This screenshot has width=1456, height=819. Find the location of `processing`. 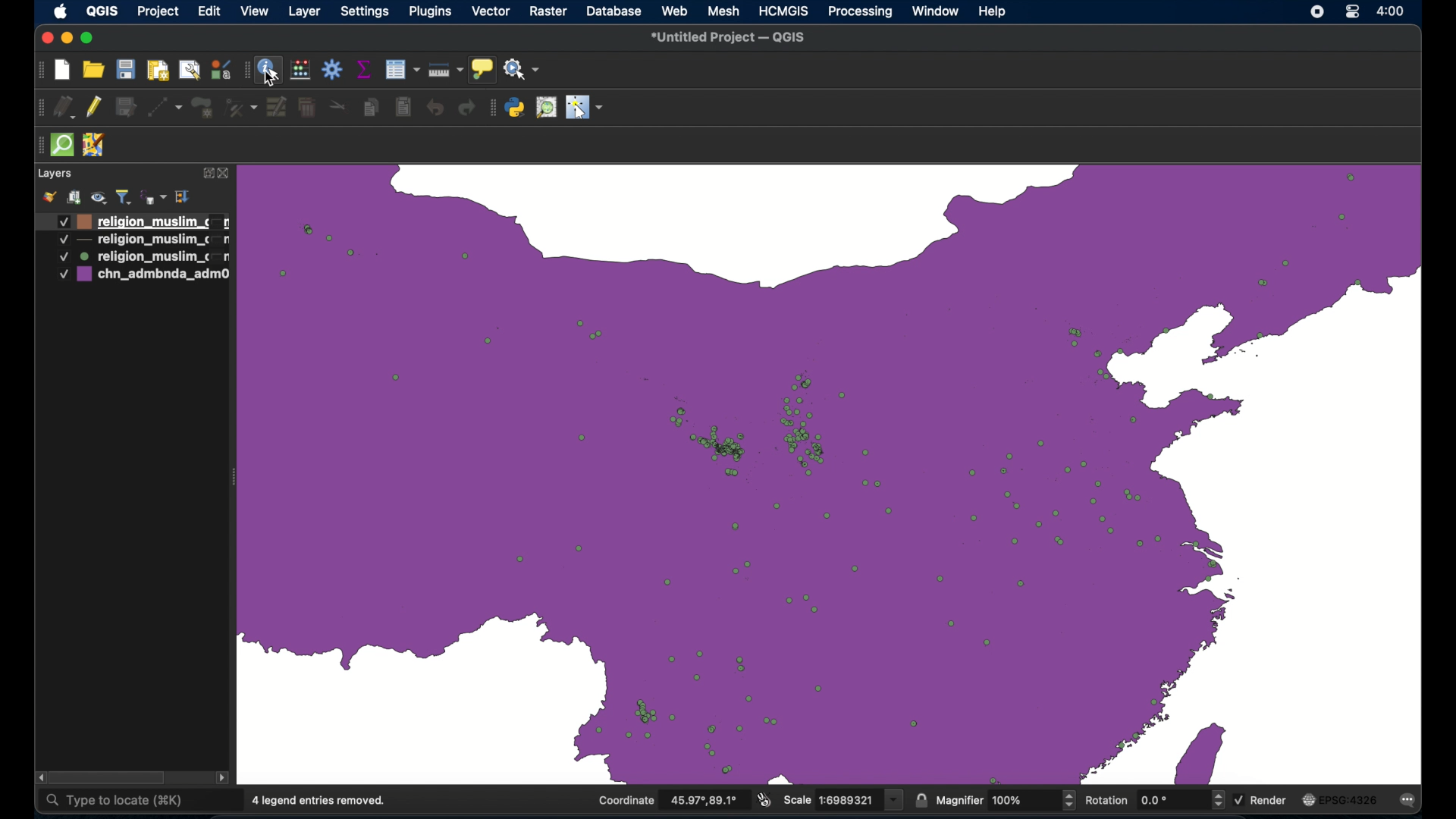

processing is located at coordinates (858, 12).